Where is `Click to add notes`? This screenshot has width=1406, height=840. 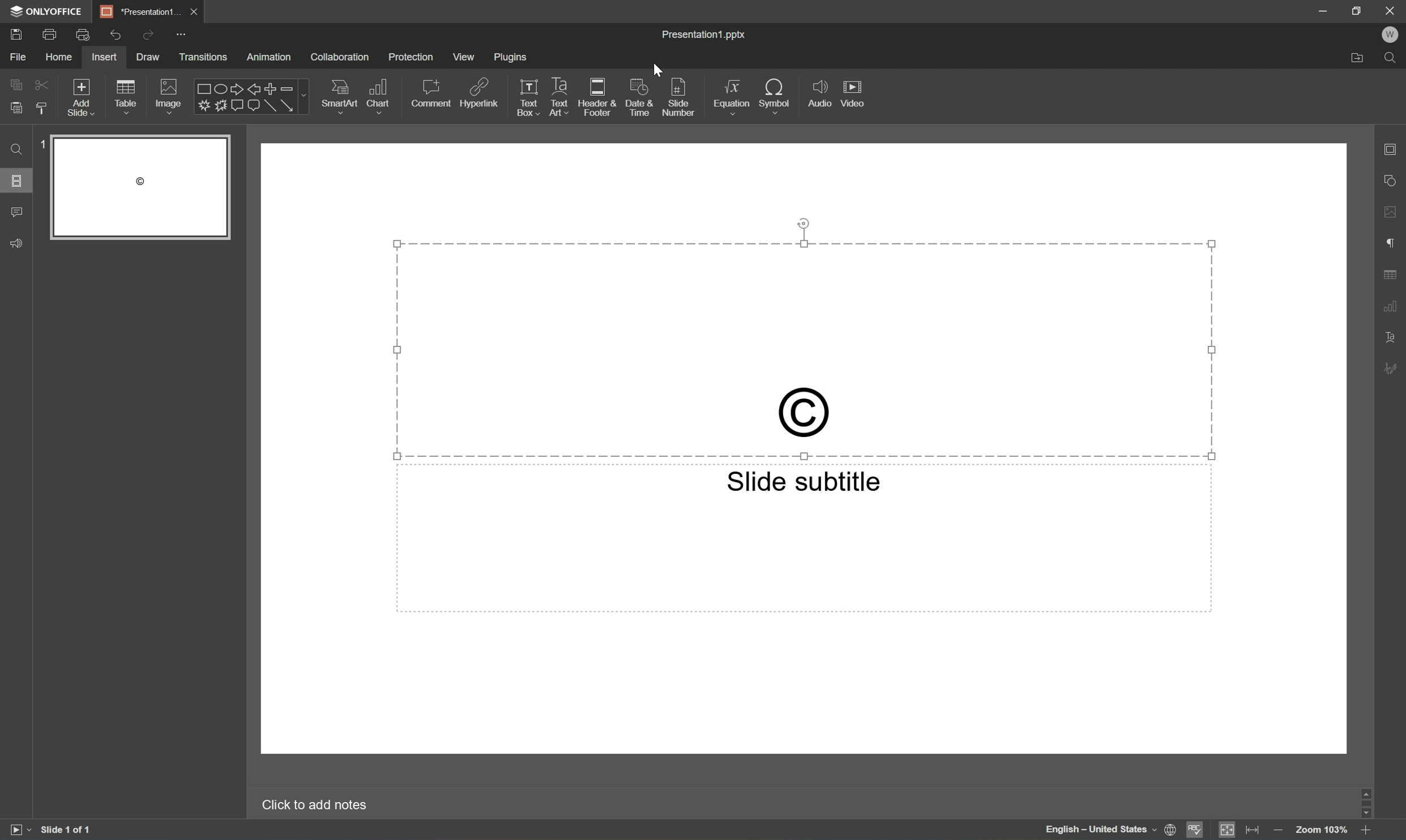
Click to add notes is located at coordinates (314, 802).